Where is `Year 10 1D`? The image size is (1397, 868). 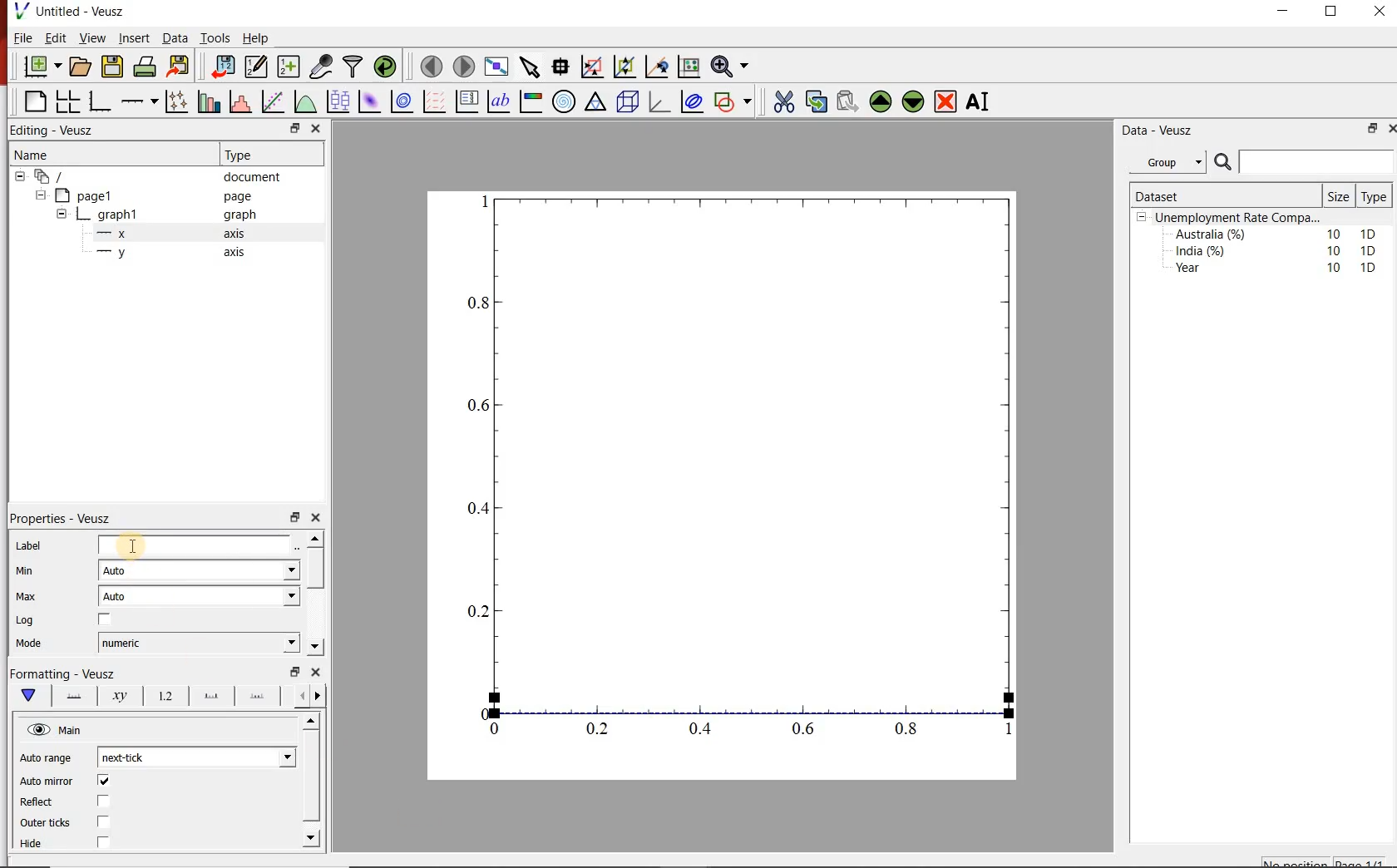
Year 10 1D is located at coordinates (1281, 269).